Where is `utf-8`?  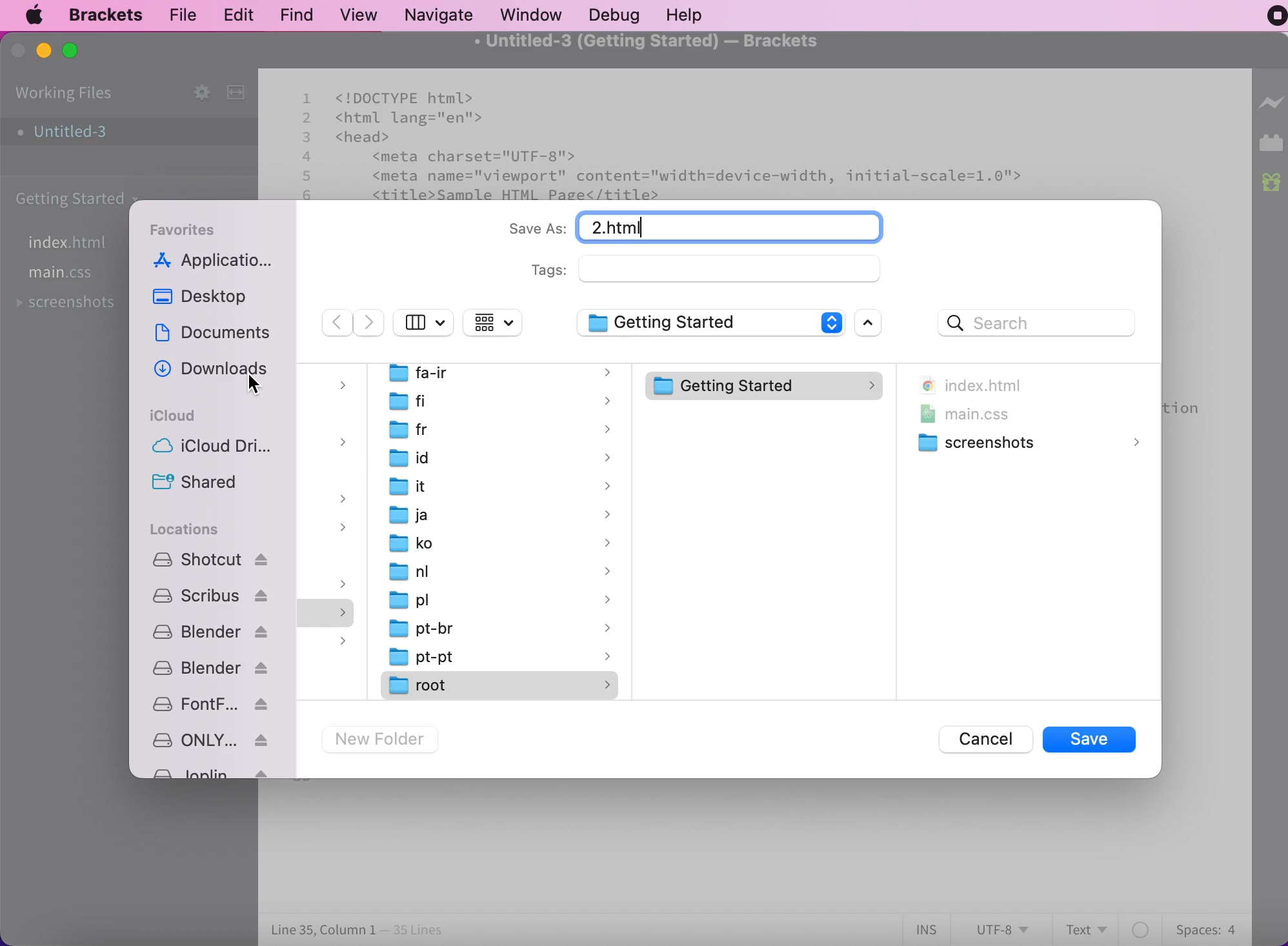
utf-8 is located at coordinates (1004, 928).